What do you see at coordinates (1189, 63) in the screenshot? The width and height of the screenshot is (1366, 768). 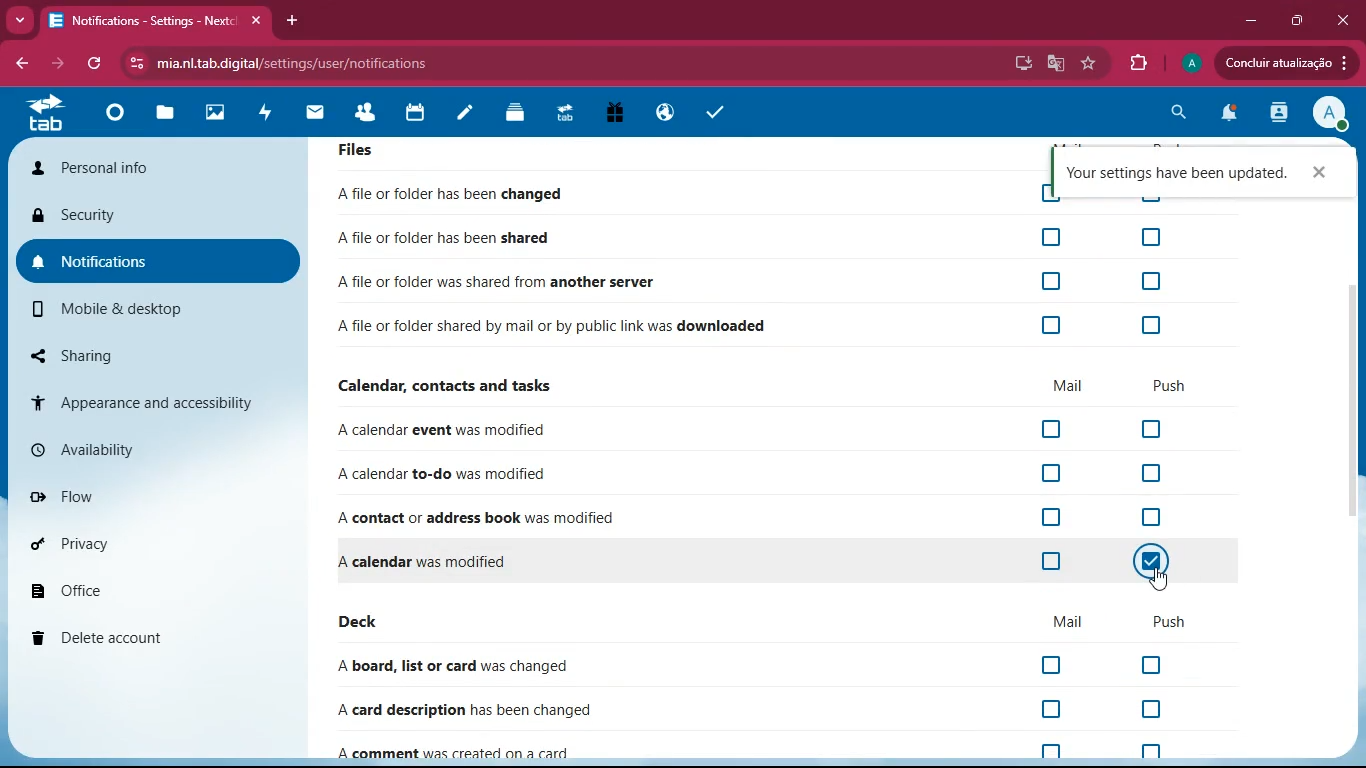 I see `profile` at bounding box center [1189, 63].